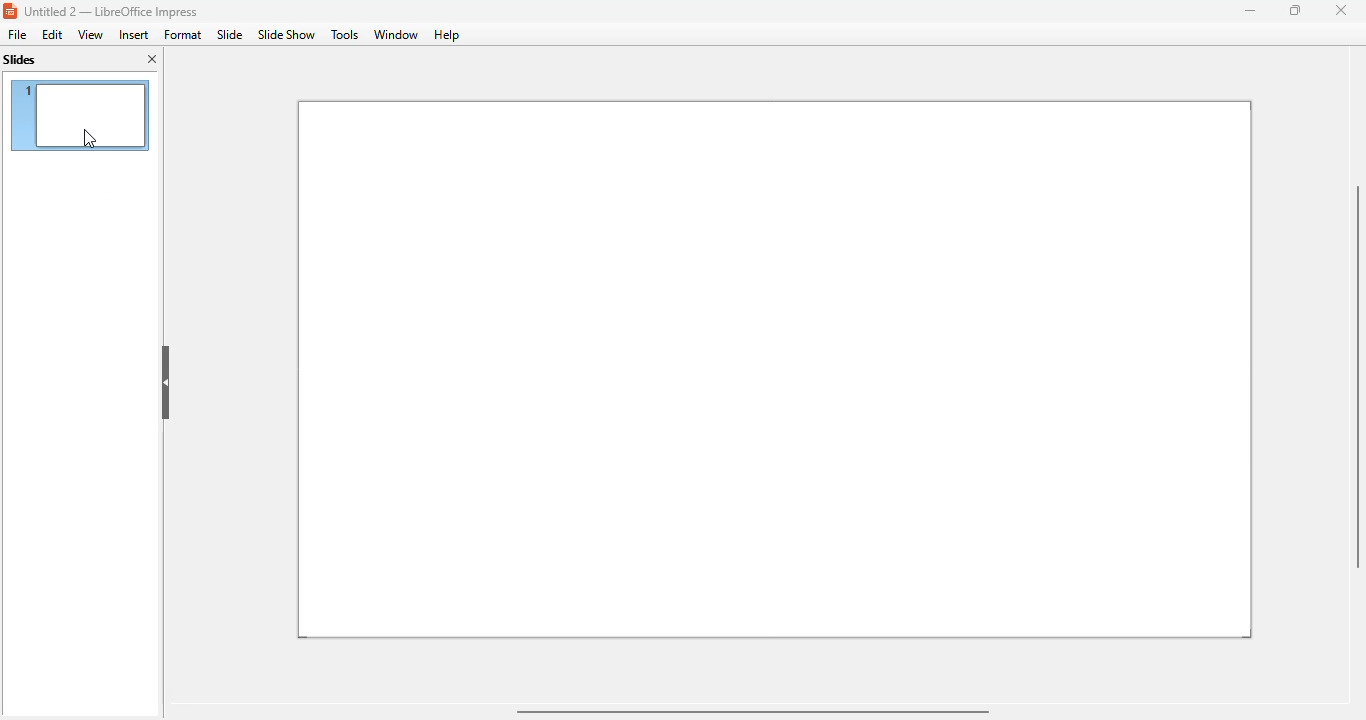 The width and height of the screenshot is (1366, 720). What do you see at coordinates (395, 35) in the screenshot?
I see `window` at bounding box center [395, 35].